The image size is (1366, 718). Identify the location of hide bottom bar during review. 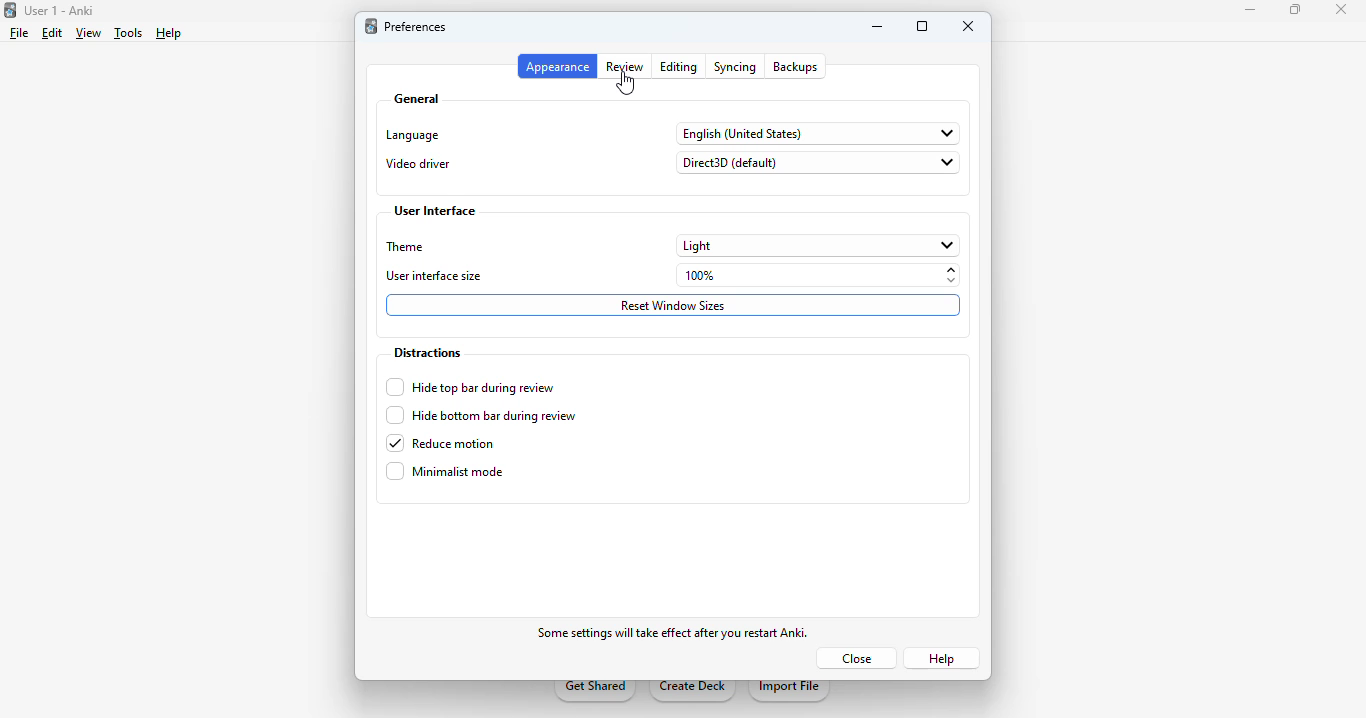
(485, 414).